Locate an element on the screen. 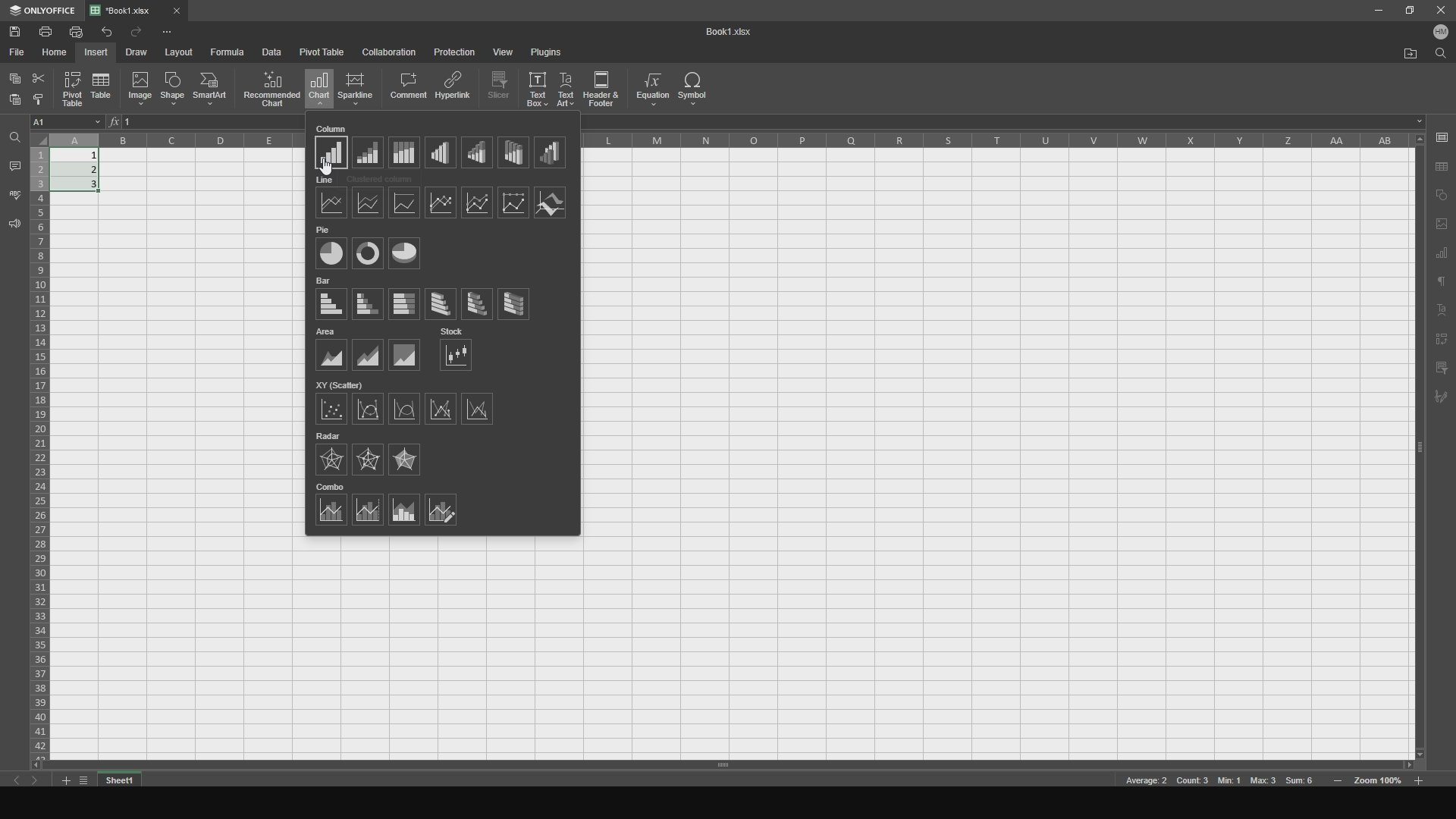 This screenshot has height=819, width=1456. minimize is located at coordinates (1377, 12).